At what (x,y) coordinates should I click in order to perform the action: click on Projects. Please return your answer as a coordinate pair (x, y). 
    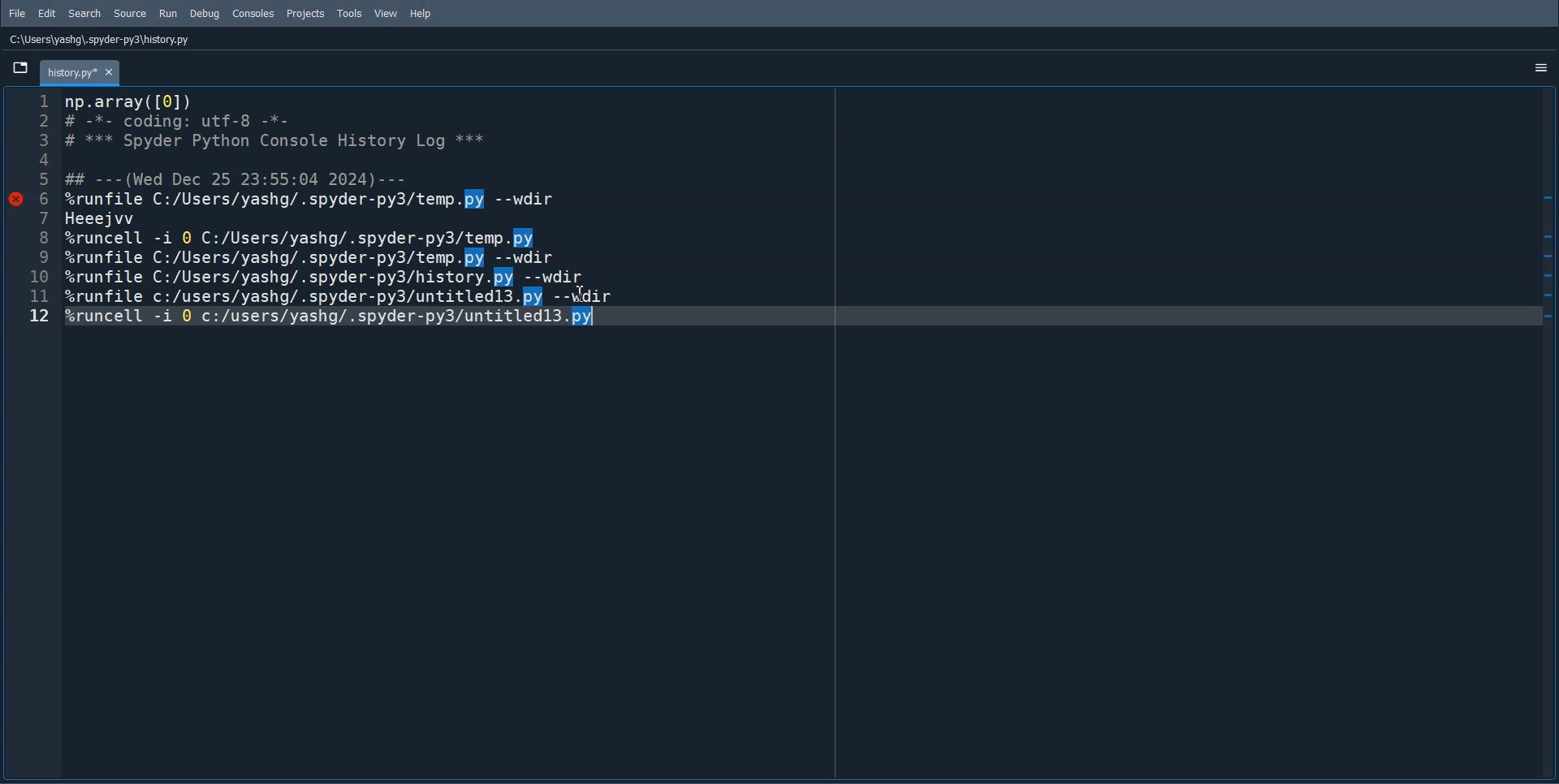
    Looking at the image, I should click on (304, 14).